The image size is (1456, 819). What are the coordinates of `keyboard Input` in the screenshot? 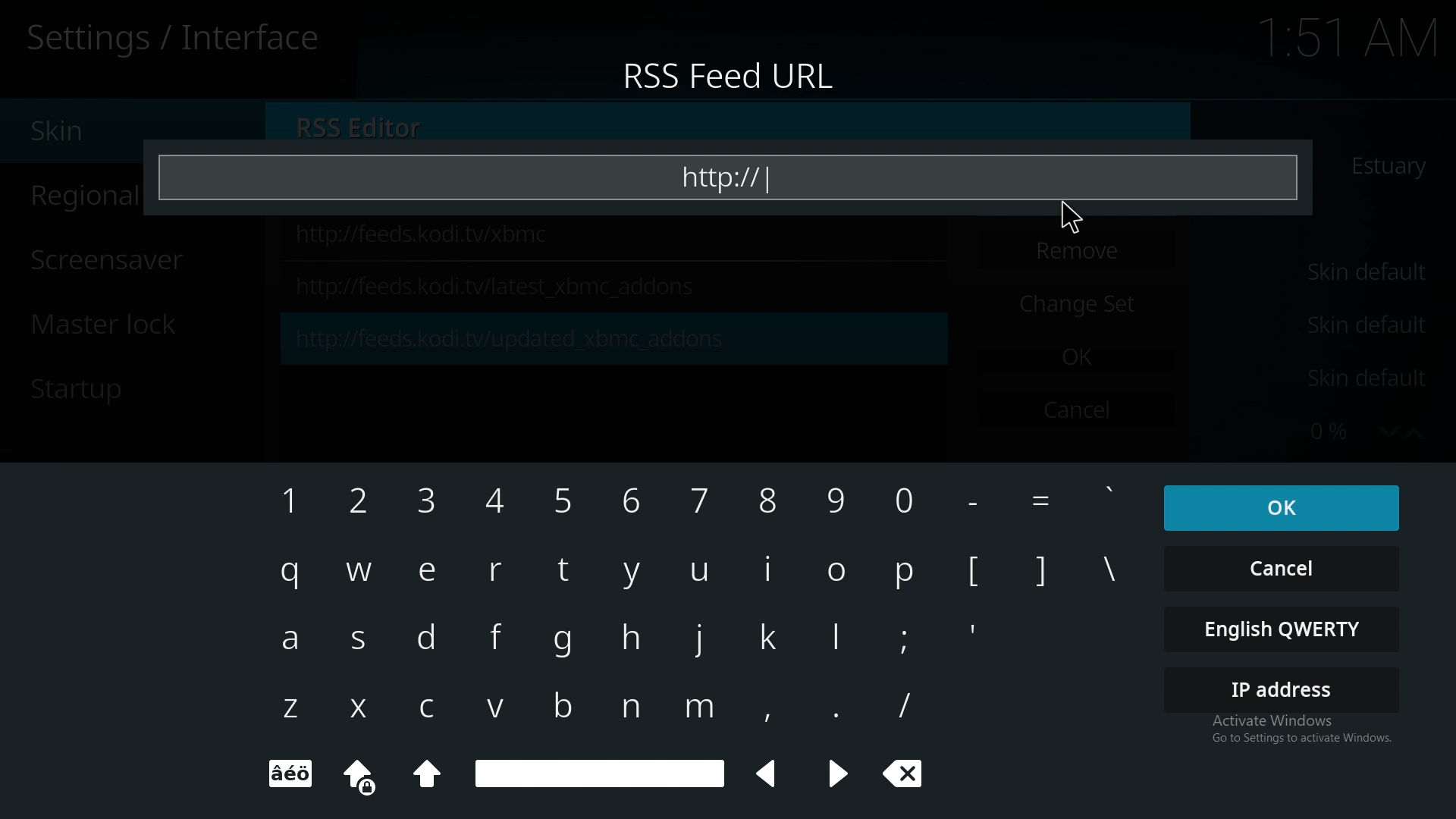 It's located at (371, 780).